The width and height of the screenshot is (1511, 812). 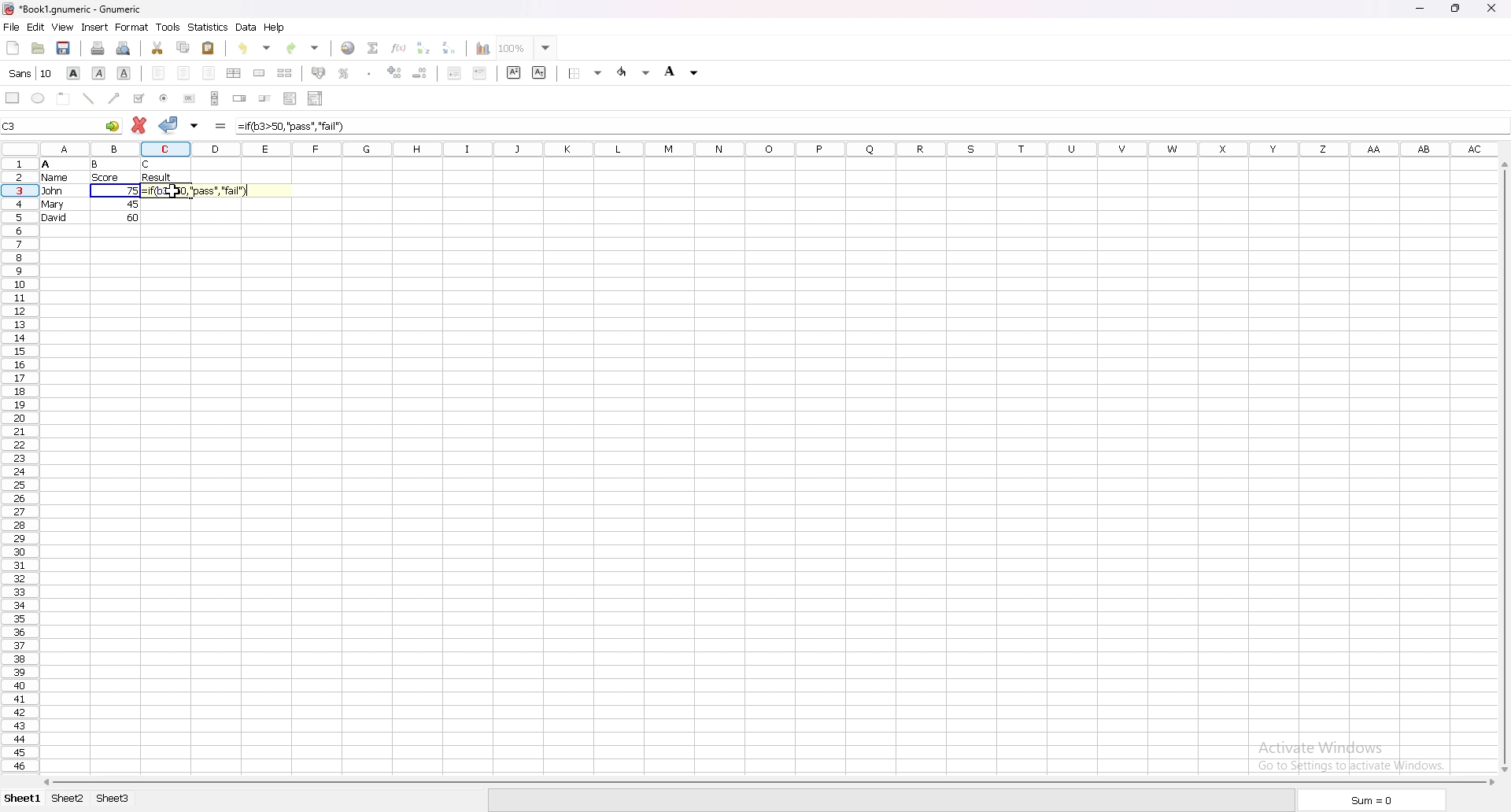 I want to click on ellipse, so click(x=39, y=98).